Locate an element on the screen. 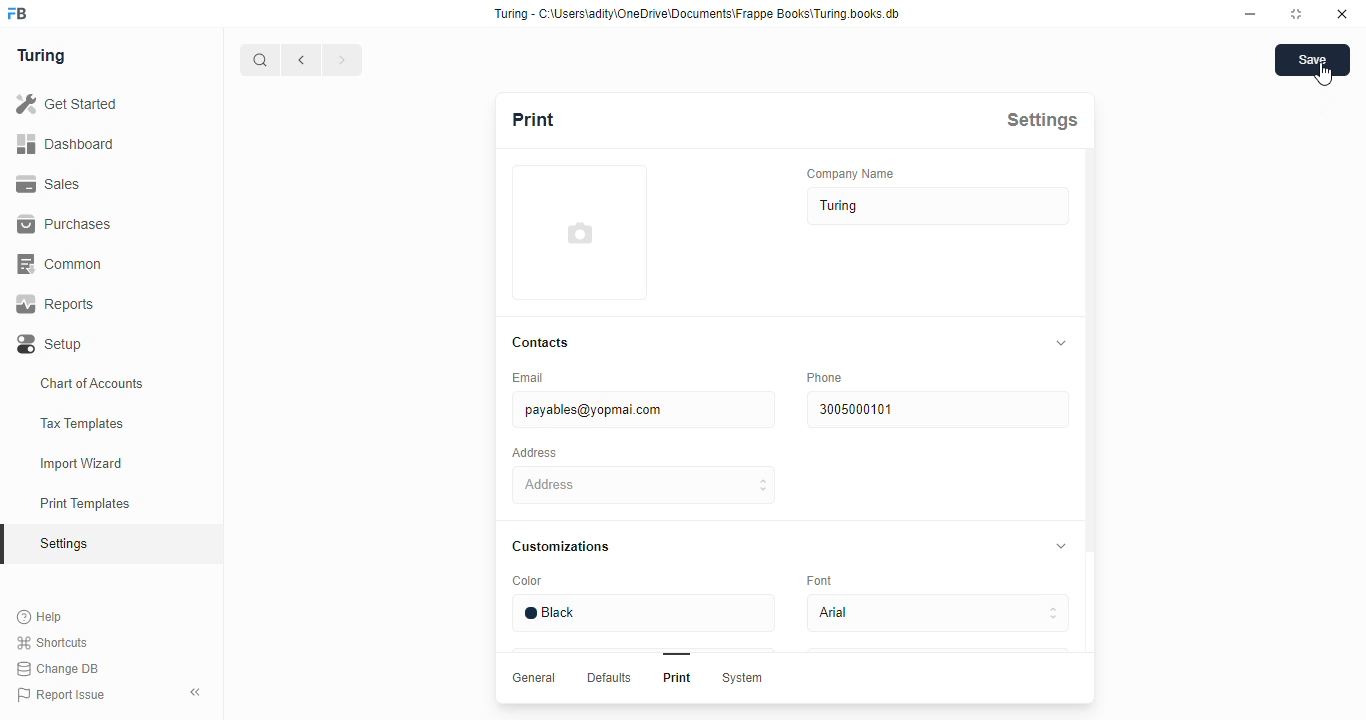  Purchases is located at coordinates (99, 223).